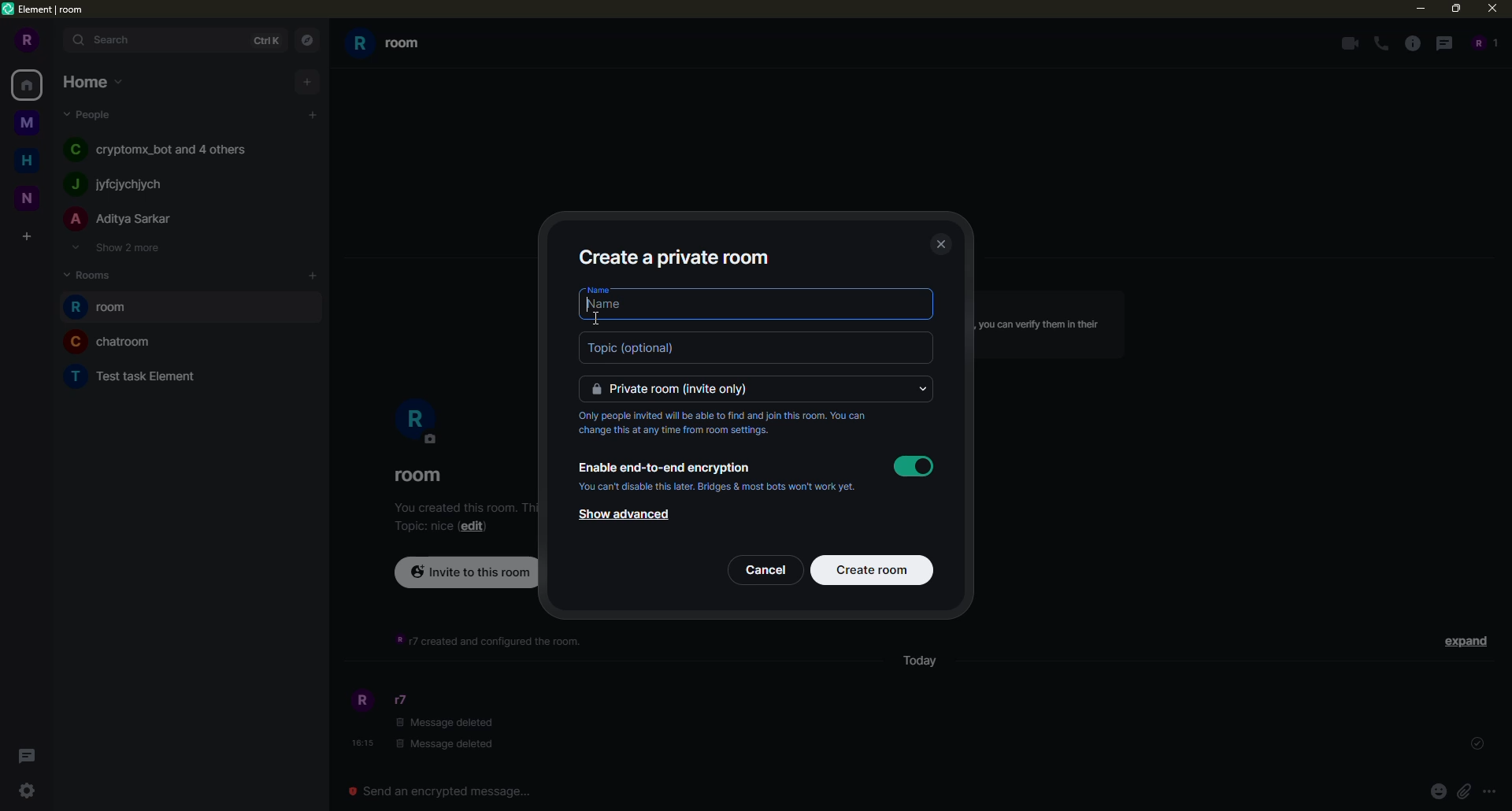 The image size is (1512, 811). I want to click on rooms, so click(88, 274).